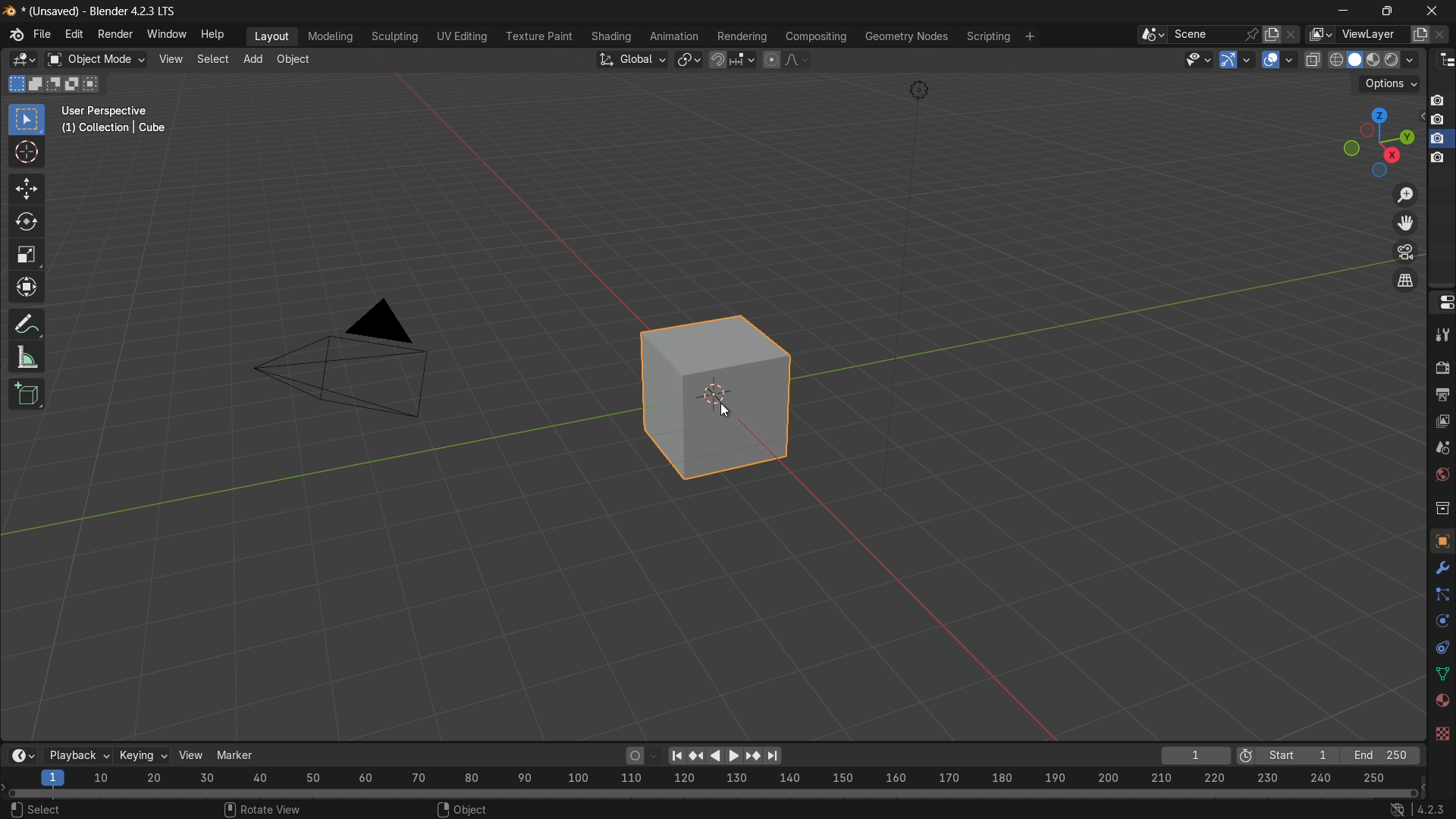  Describe the element at coordinates (352, 360) in the screenshot. I see `camera` at that location.